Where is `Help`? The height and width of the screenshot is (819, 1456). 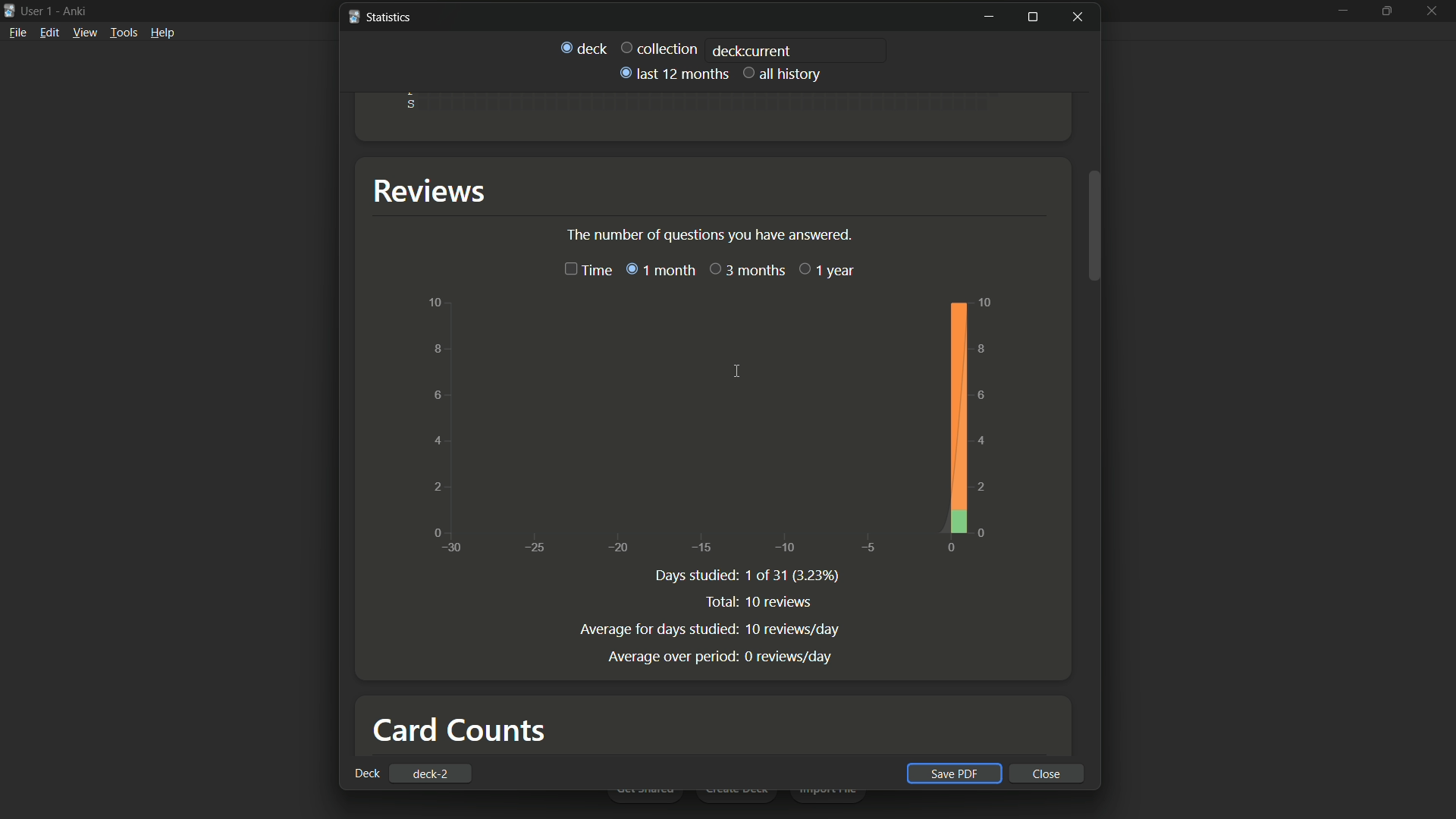
Help is located at coordinates (165, 36).